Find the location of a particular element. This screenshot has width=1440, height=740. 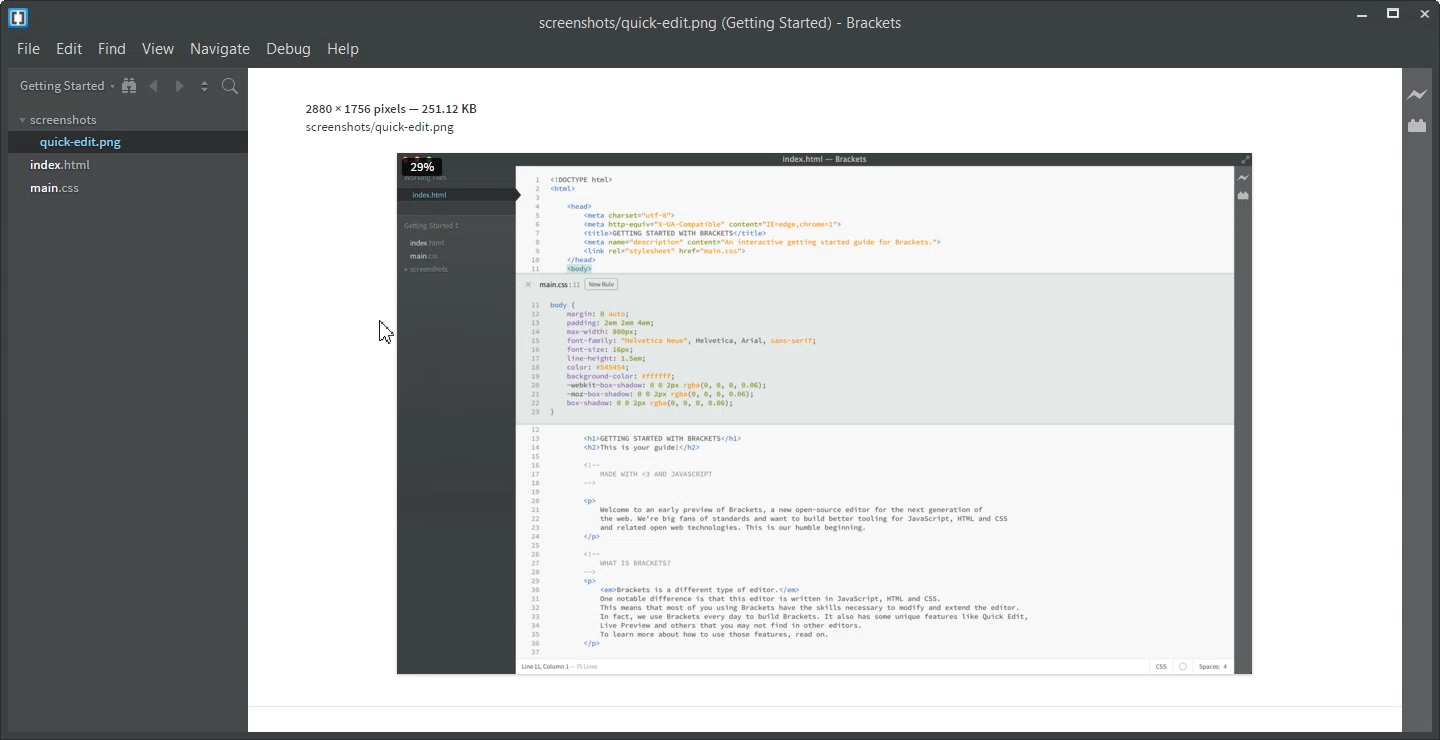

Getting Started is located at coordinates (63, 85).